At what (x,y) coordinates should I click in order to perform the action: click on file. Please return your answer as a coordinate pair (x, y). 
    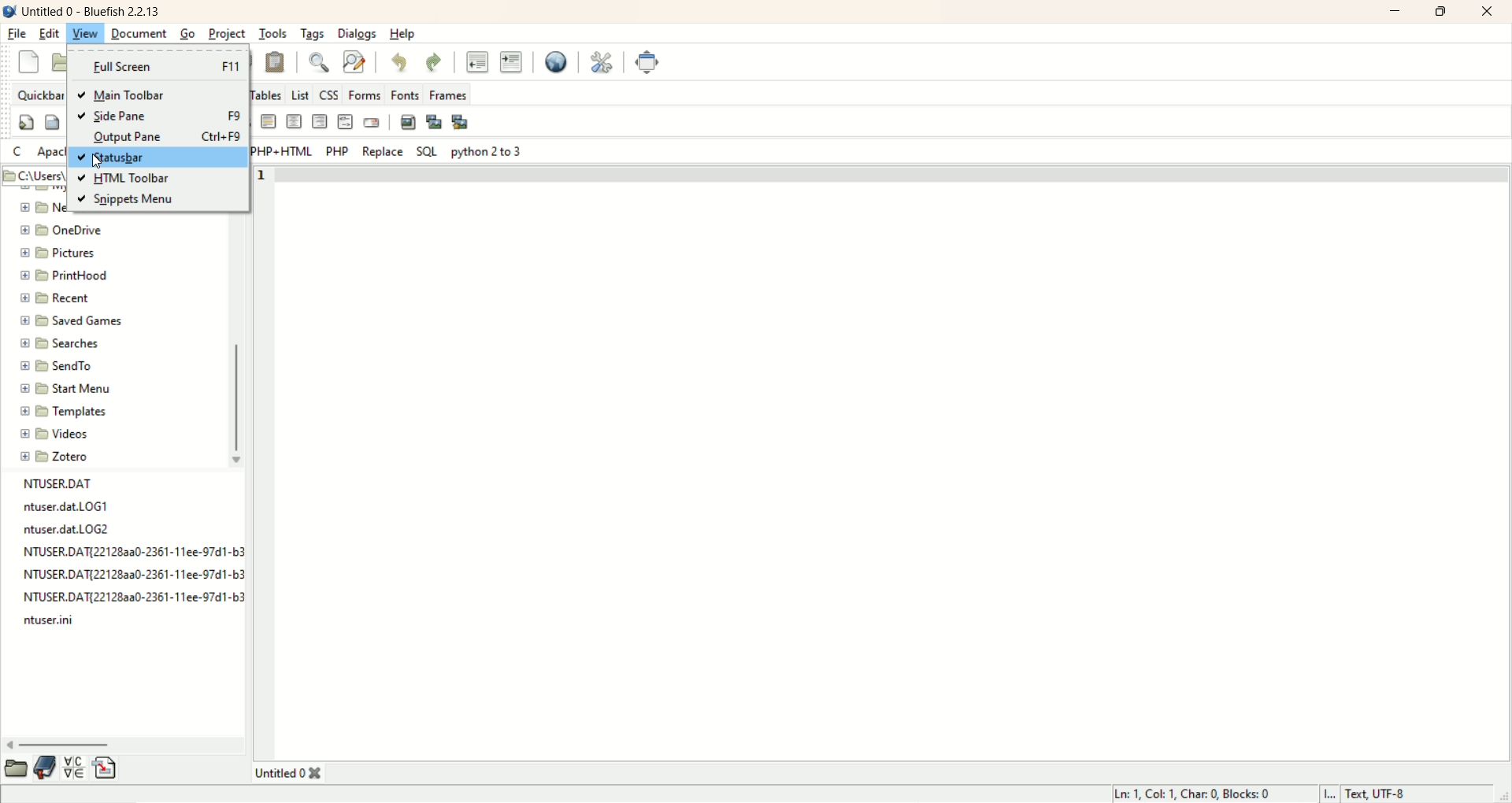
    Looking at the image, I should click on (74, 531).